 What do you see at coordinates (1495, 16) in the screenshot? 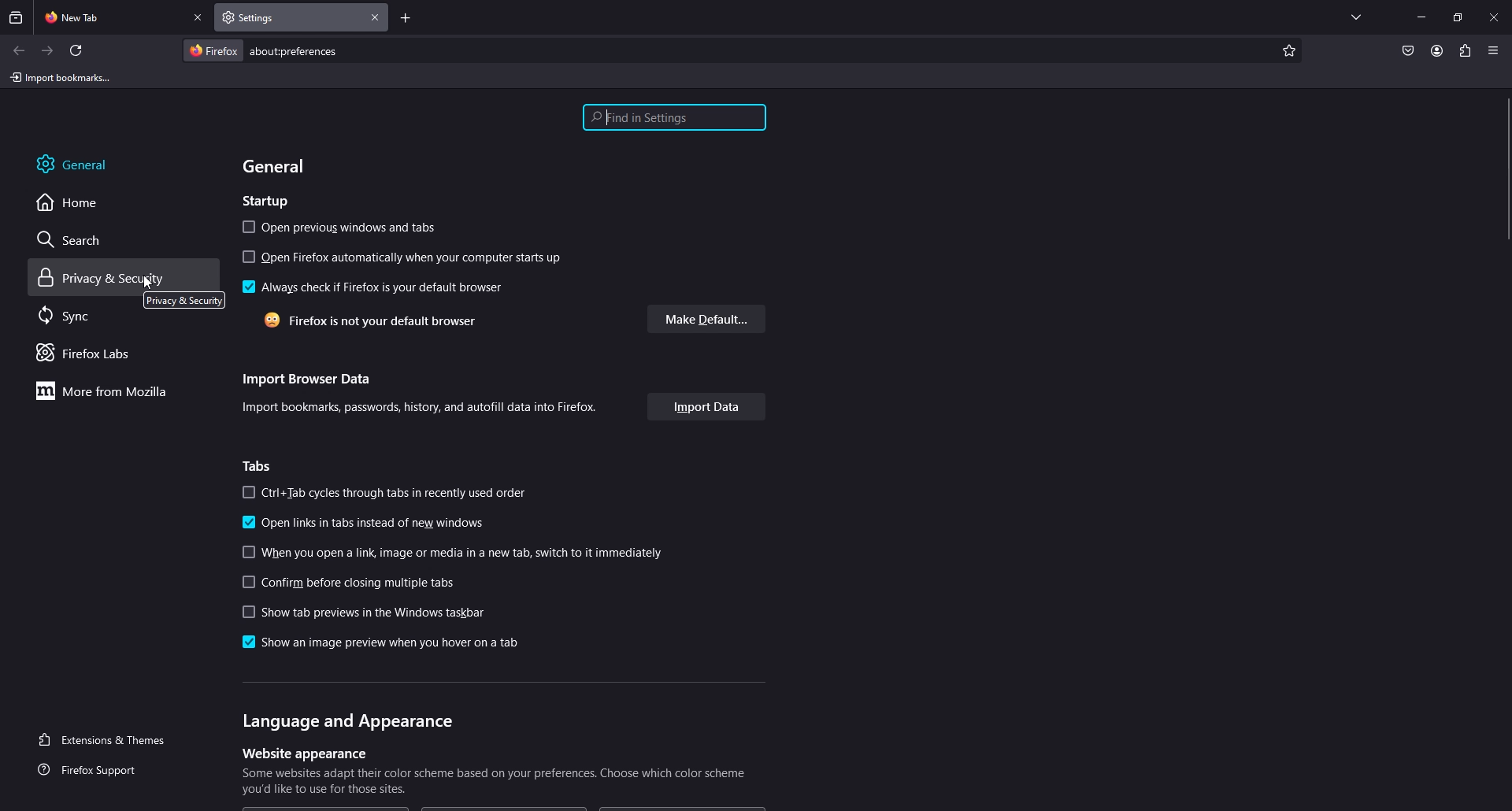
I see `close` at bounding box center [1495, 16].